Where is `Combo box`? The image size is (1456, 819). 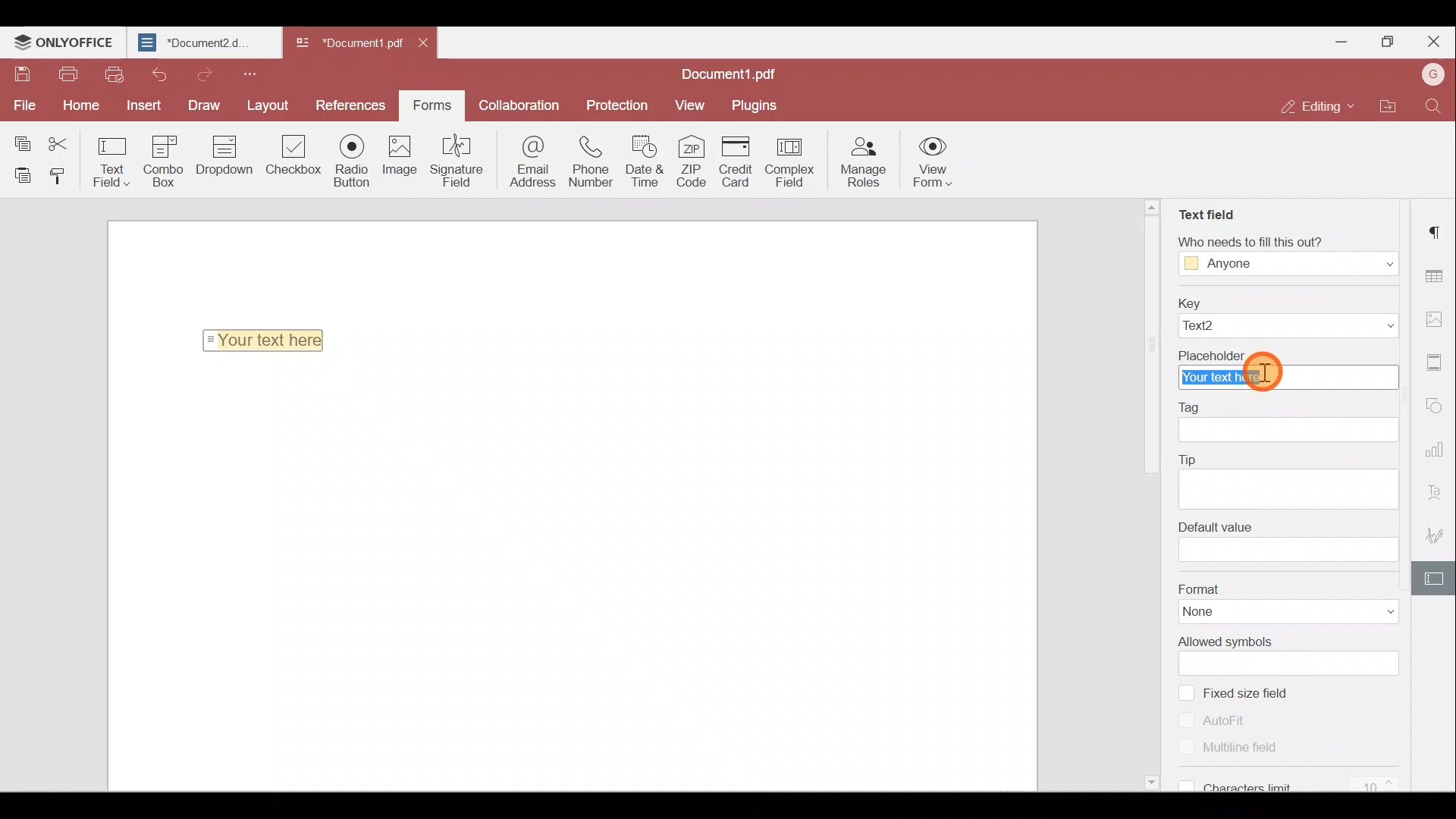 Combo box is located at coordinates (168, 158).